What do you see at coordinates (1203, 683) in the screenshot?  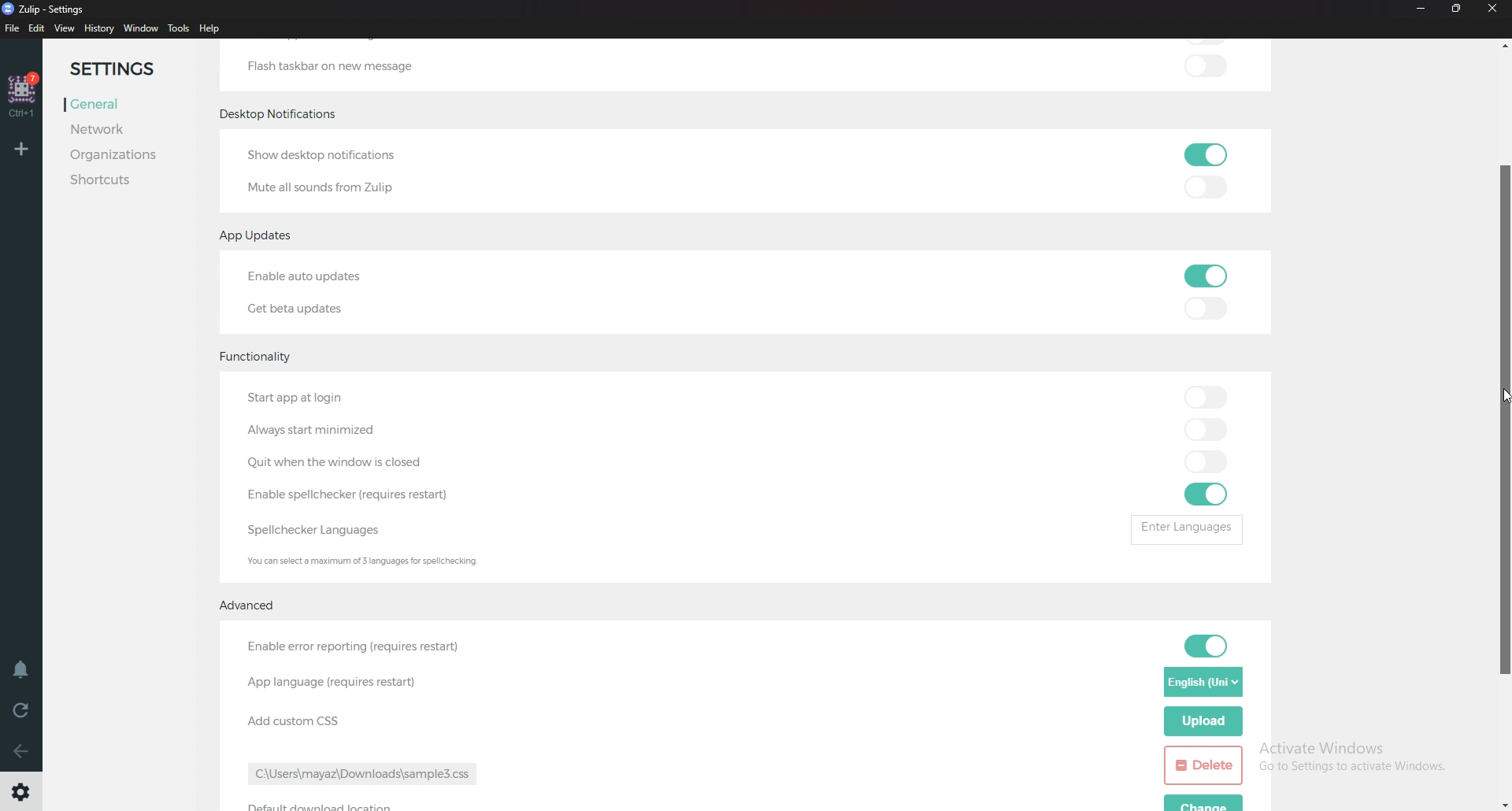 I see `Language` at bounding box center [1203, 683].